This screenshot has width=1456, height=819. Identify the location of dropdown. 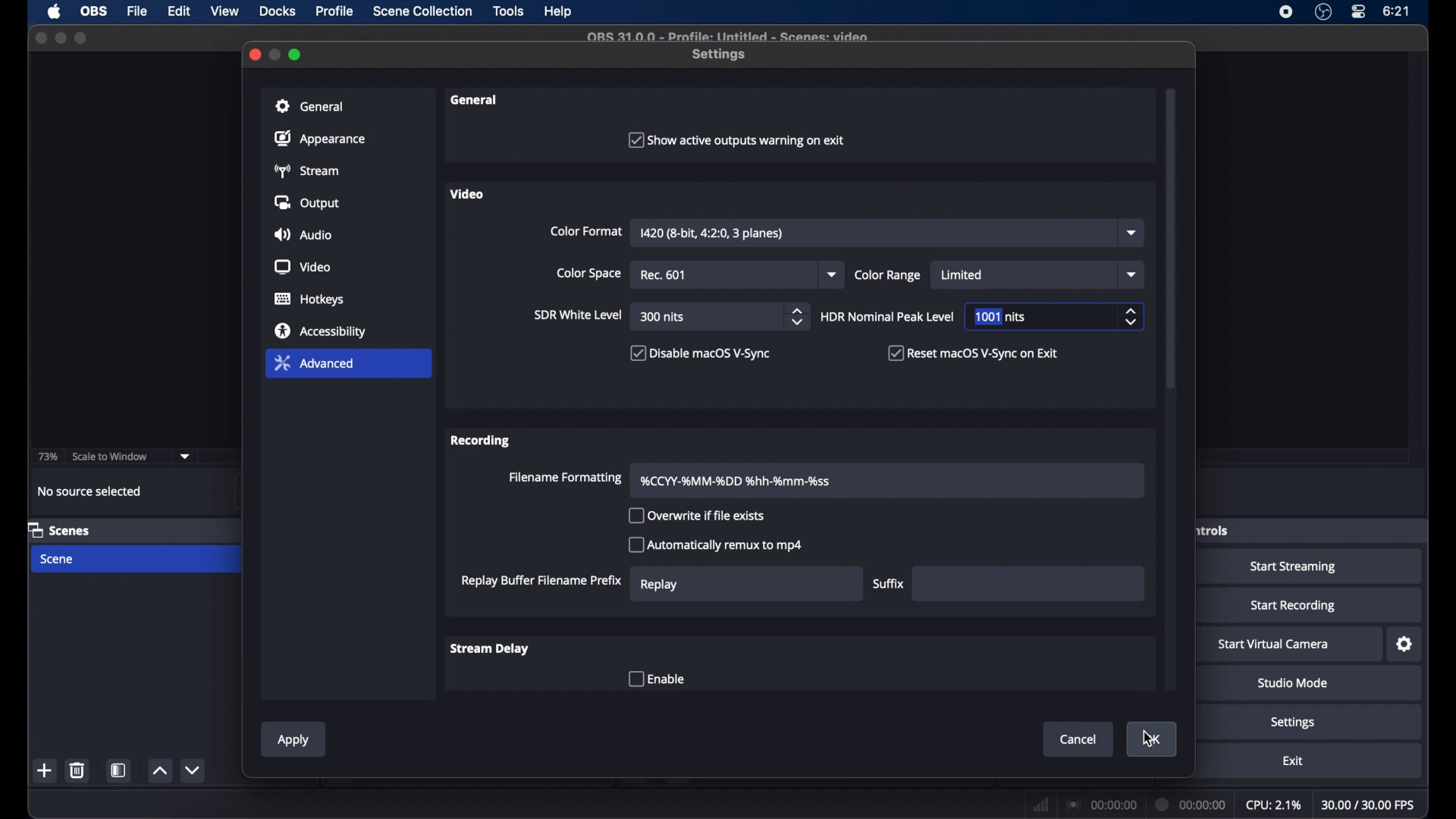
(186, 457).